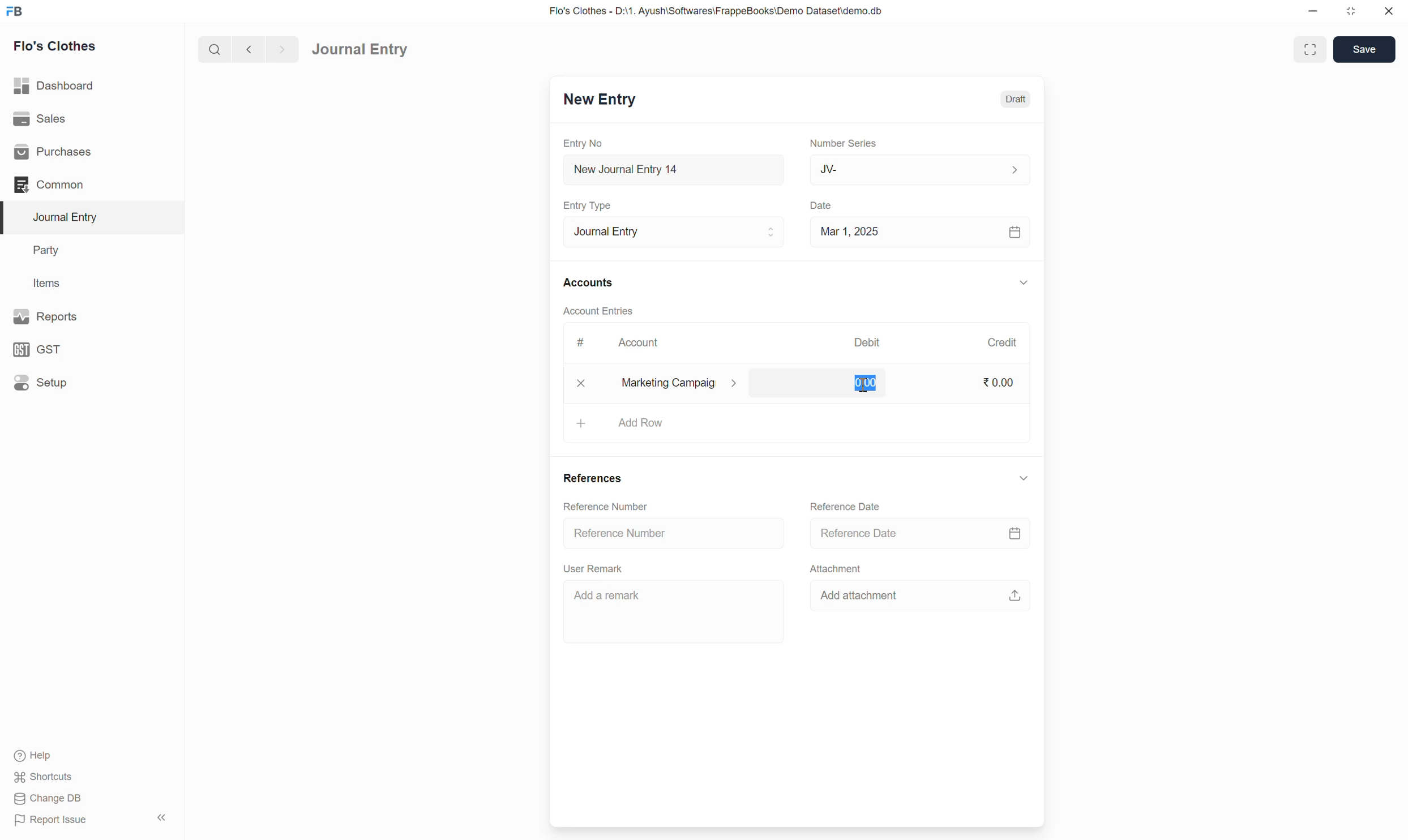 Image resolution: width=1408 pixels, height=840 pixels. Describe the element at coordinates (620, 532) in the screenshot. I see `Reference Number` at that location.